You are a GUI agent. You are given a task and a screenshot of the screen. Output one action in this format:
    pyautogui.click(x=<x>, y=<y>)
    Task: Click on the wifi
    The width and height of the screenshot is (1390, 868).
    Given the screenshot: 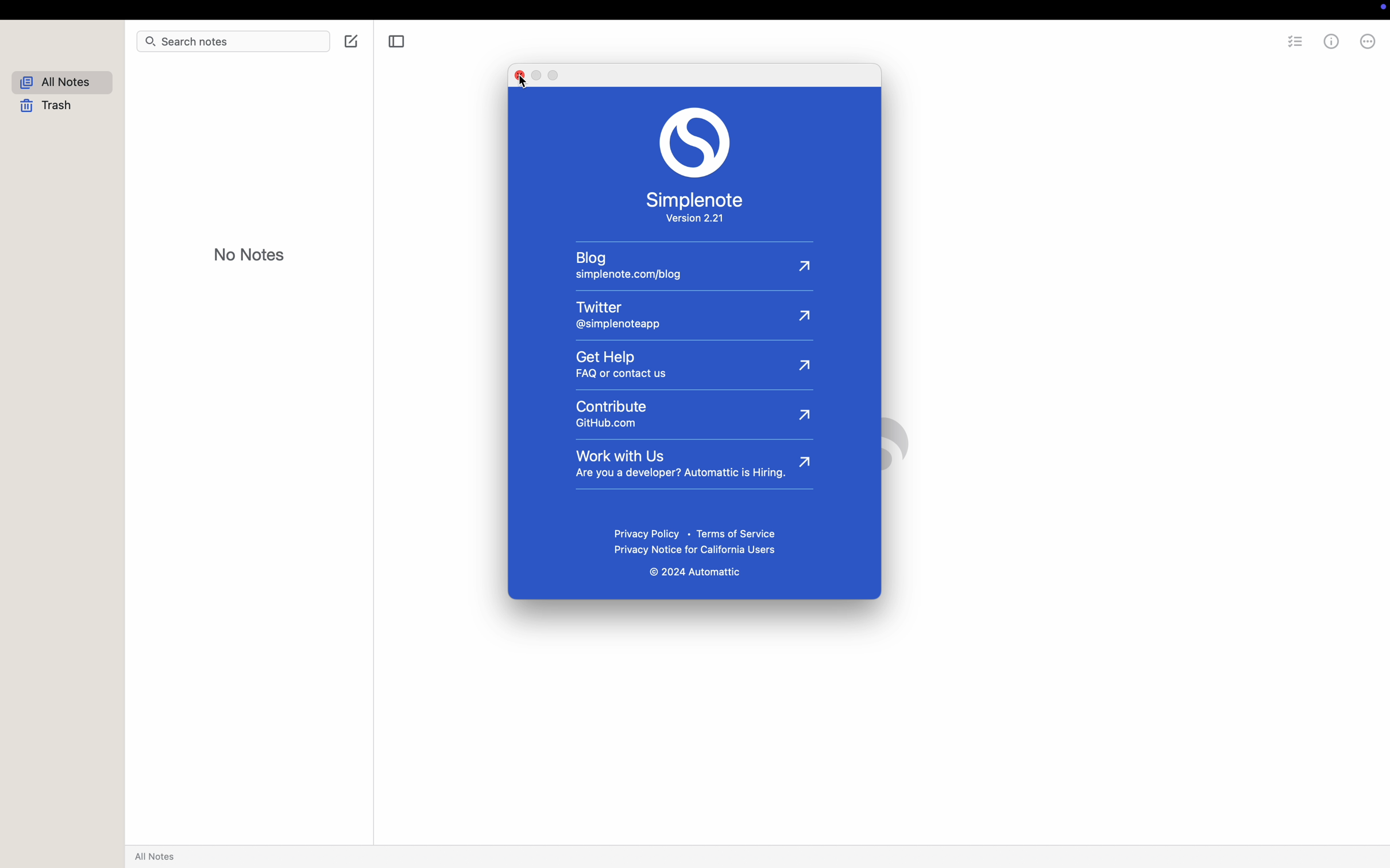 What is the action you would take?
    pyautogui.click(x=1205, y=11)
    